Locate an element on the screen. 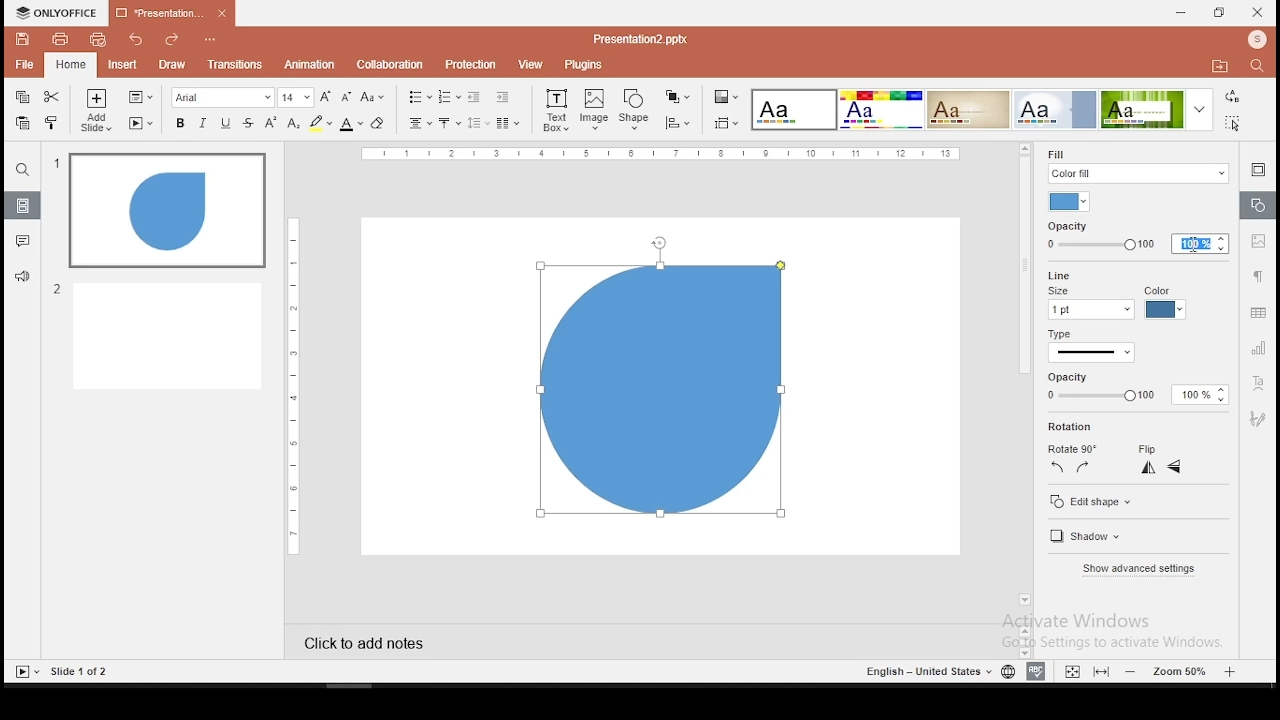  start slideshow is located at coordinates (27, 672).